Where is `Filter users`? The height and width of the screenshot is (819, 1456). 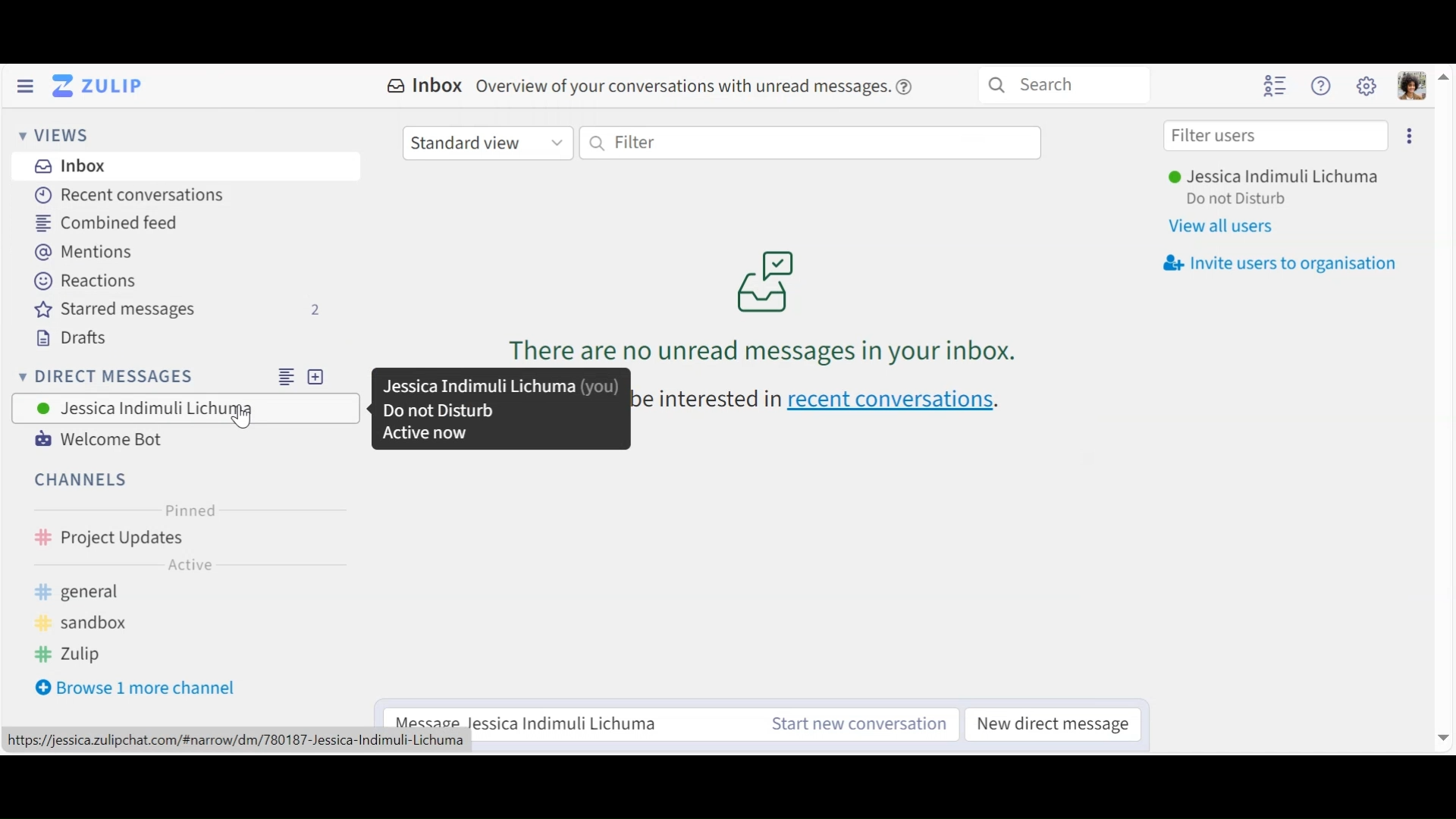 Filter users is located at coordinates (1275, 135).